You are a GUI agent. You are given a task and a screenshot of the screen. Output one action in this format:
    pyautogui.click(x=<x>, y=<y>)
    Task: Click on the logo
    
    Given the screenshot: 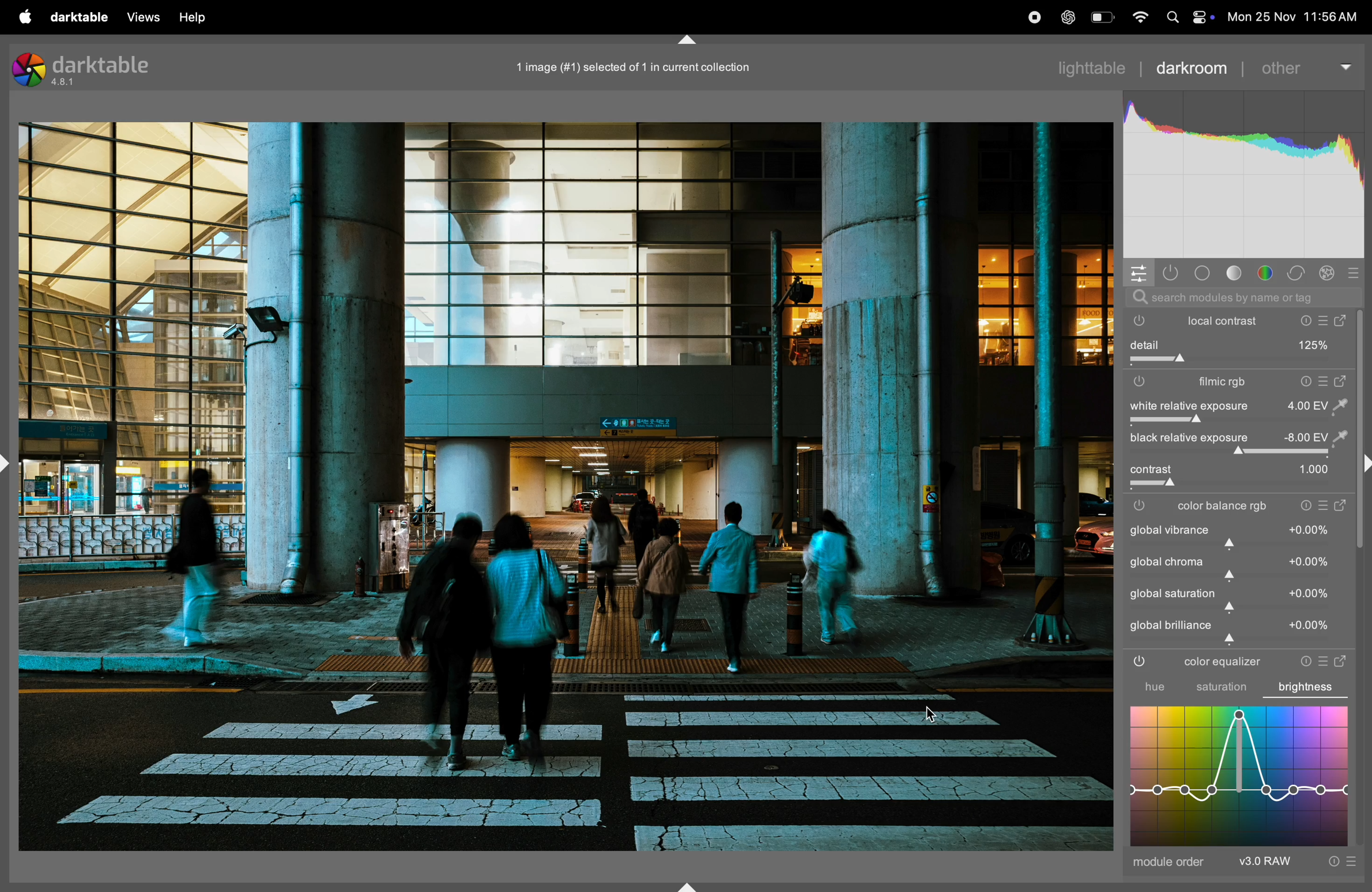 What is the action you would take?
    pyautogui.click(x=29, y=71)
    